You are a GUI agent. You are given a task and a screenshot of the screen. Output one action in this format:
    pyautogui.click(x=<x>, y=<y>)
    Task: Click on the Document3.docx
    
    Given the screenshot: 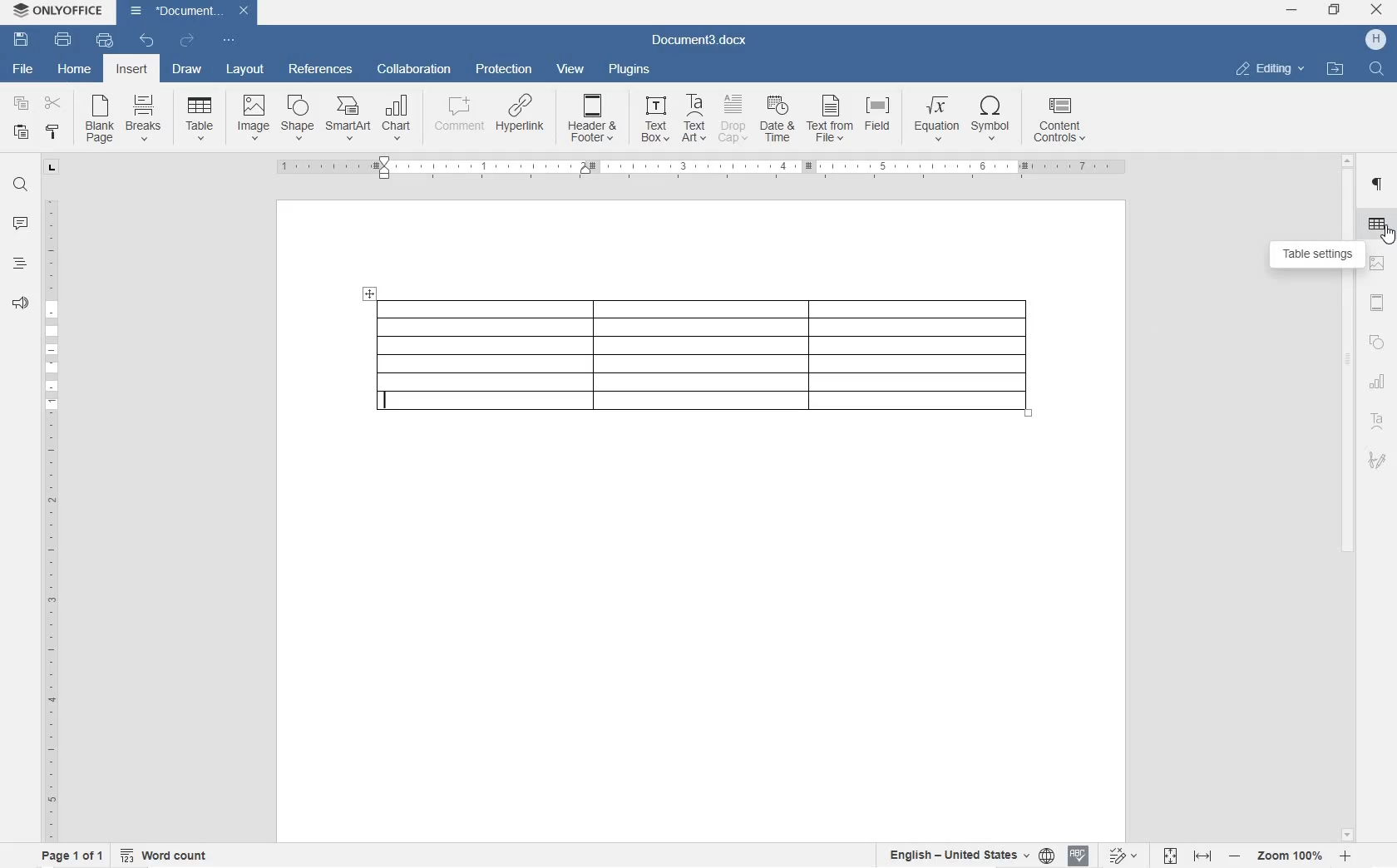 What is the action you would take?
    pyautogui.click(x=697, y=43)
    